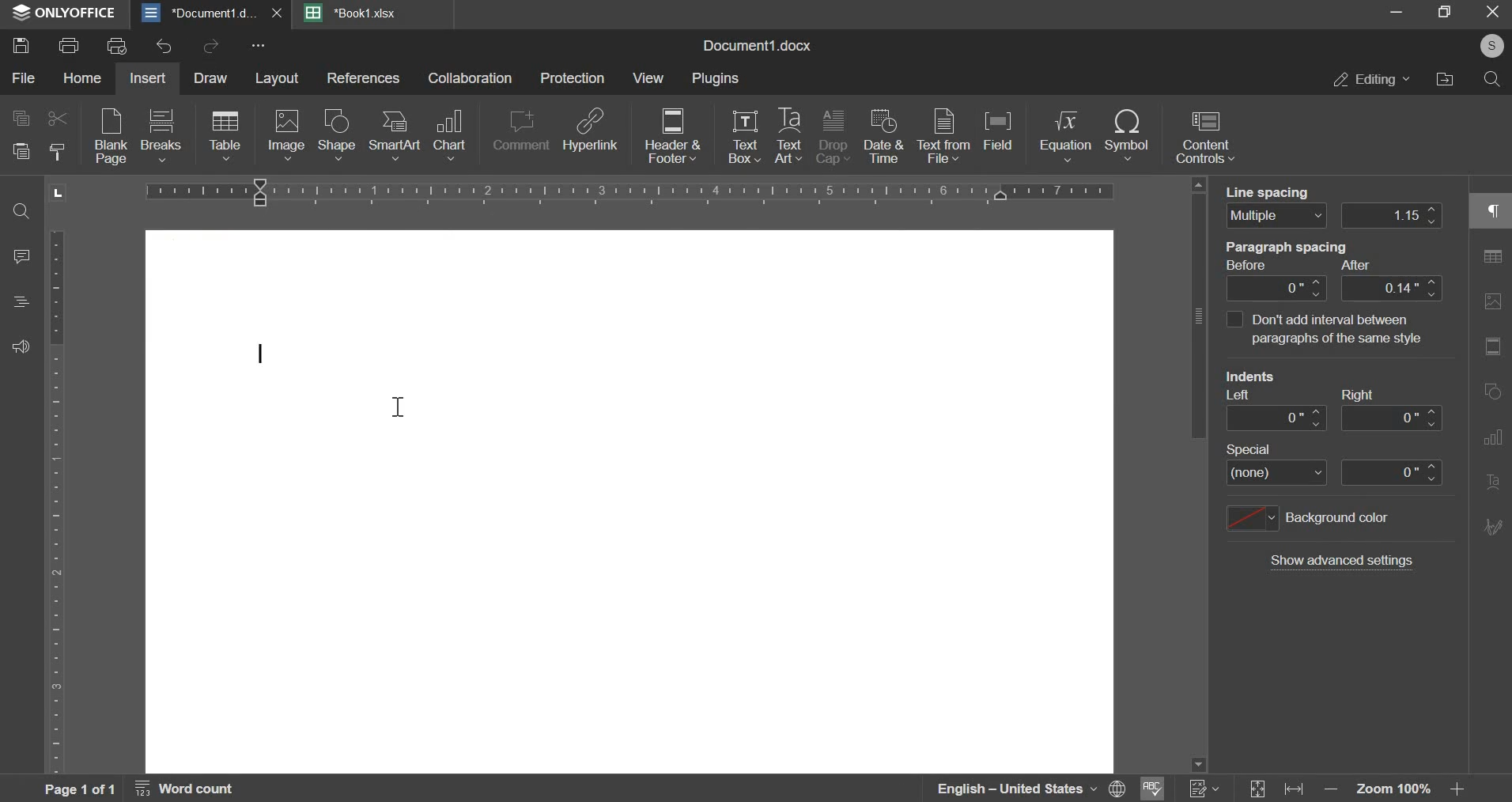 The height and width of the screenshot is (802, 1512). I want to click on page break, so click(160, 136).